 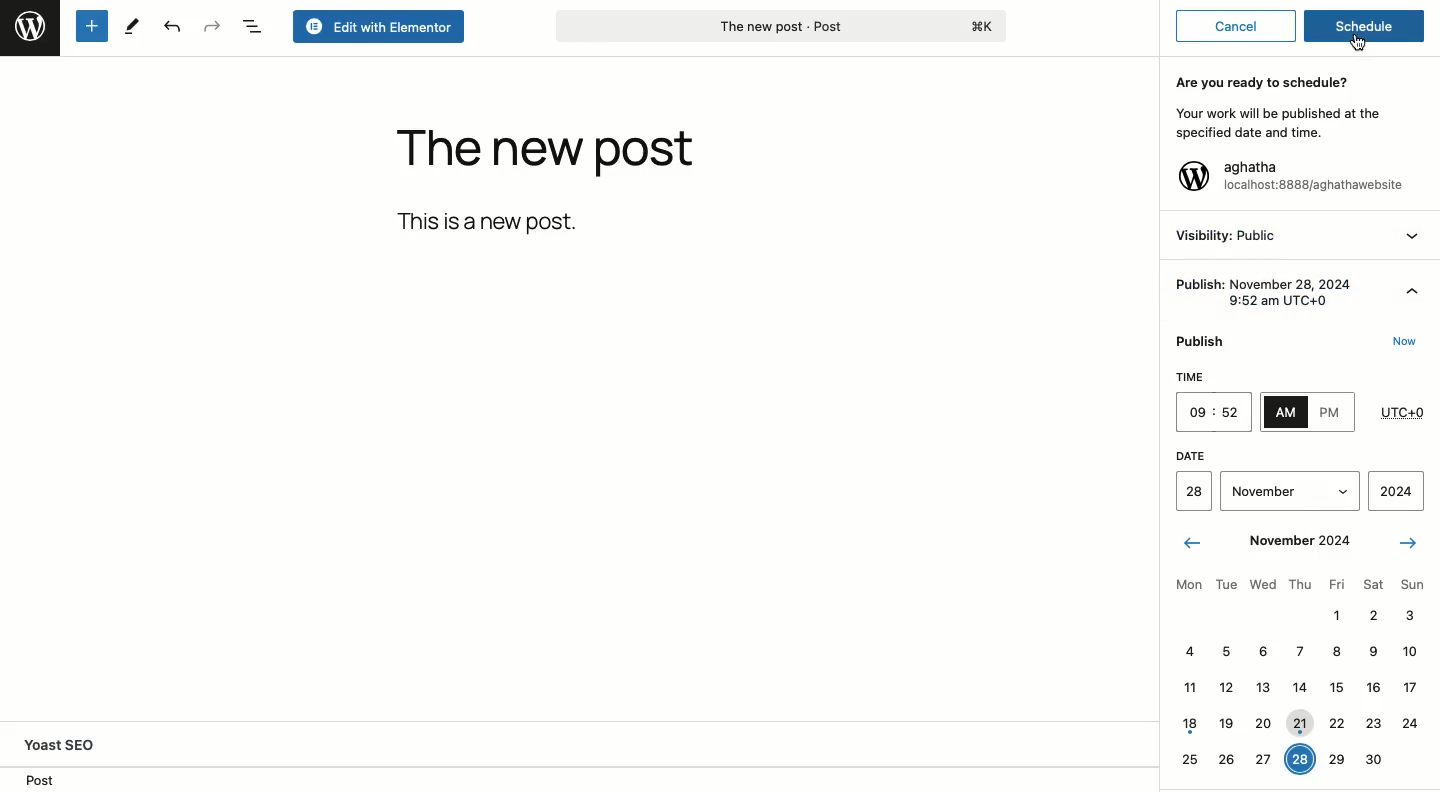 What do you see at coordinates (1337, 652) in the screenshot?
I see `8` at bounding box center [1337, 652].